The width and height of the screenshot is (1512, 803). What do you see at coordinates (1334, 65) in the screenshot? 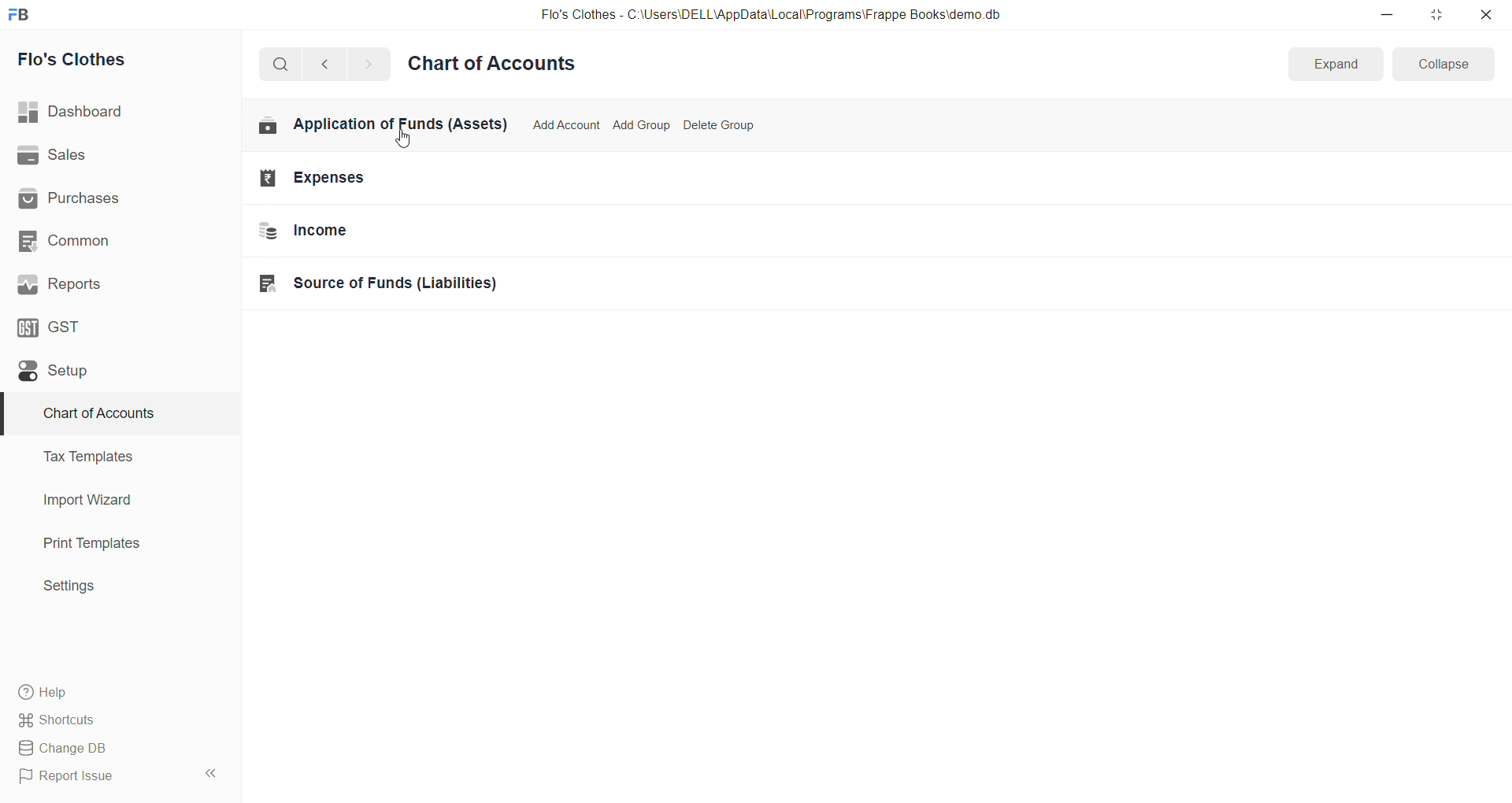
I see `Expand` at bounding box center [1334, 65].